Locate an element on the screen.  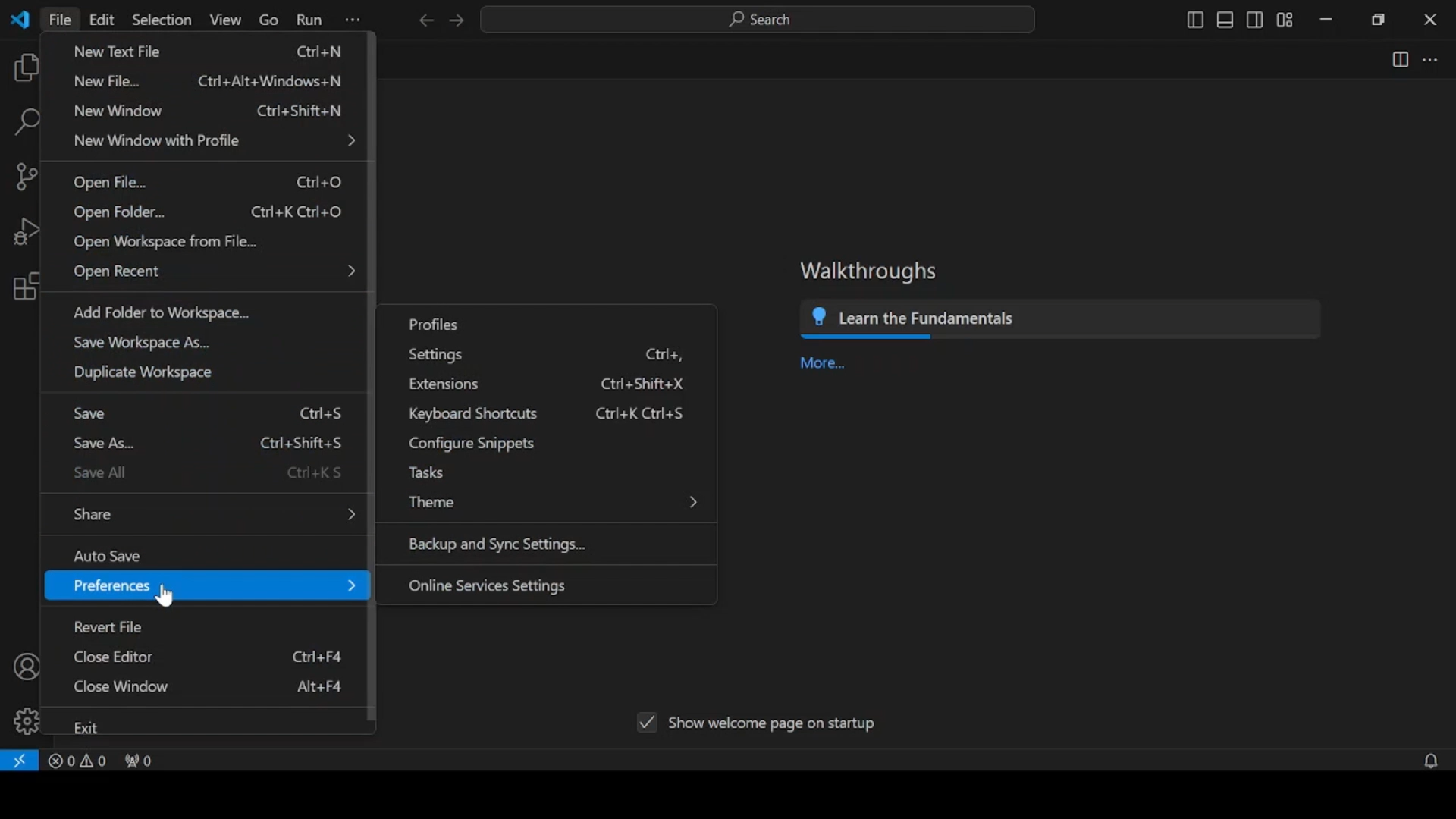
go is located at coordinates (266, 20).